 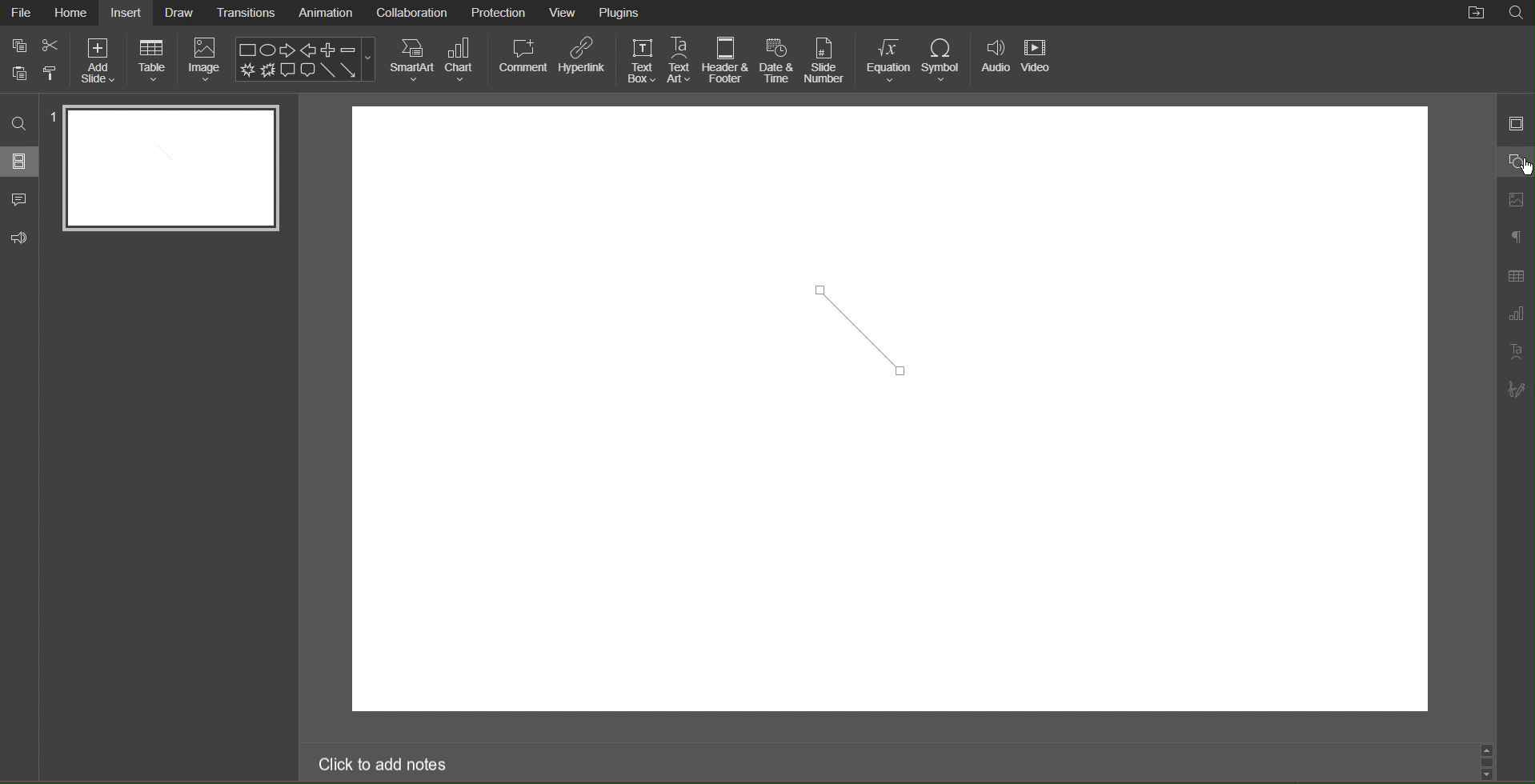 I want to click on Click to add notes, so click(x=384, y=766).